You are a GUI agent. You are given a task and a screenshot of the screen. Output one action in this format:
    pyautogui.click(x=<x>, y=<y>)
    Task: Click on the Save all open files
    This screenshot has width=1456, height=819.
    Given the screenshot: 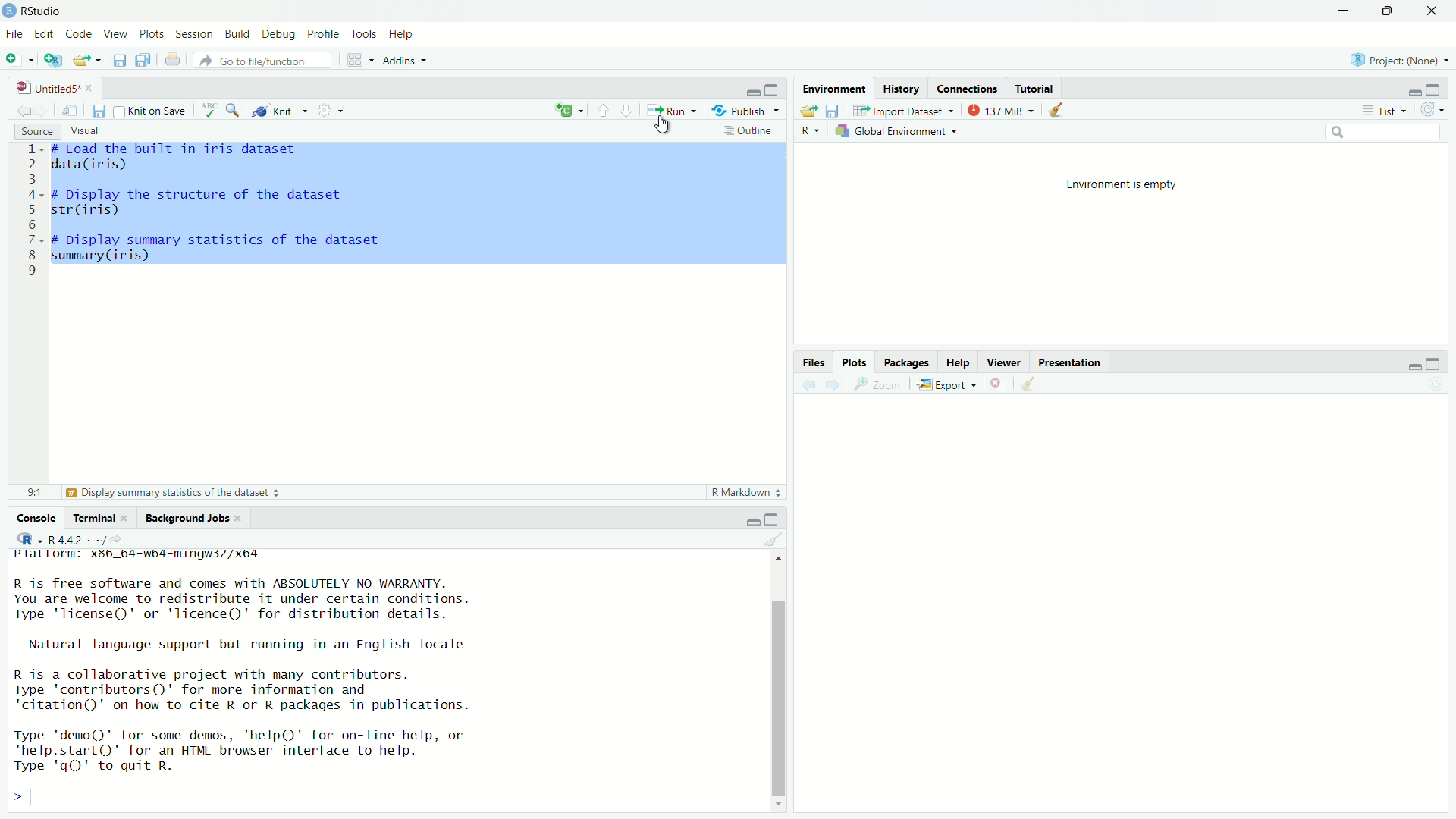 What is the action you would take?
    pyautogui.click(x=143, y=60)
    